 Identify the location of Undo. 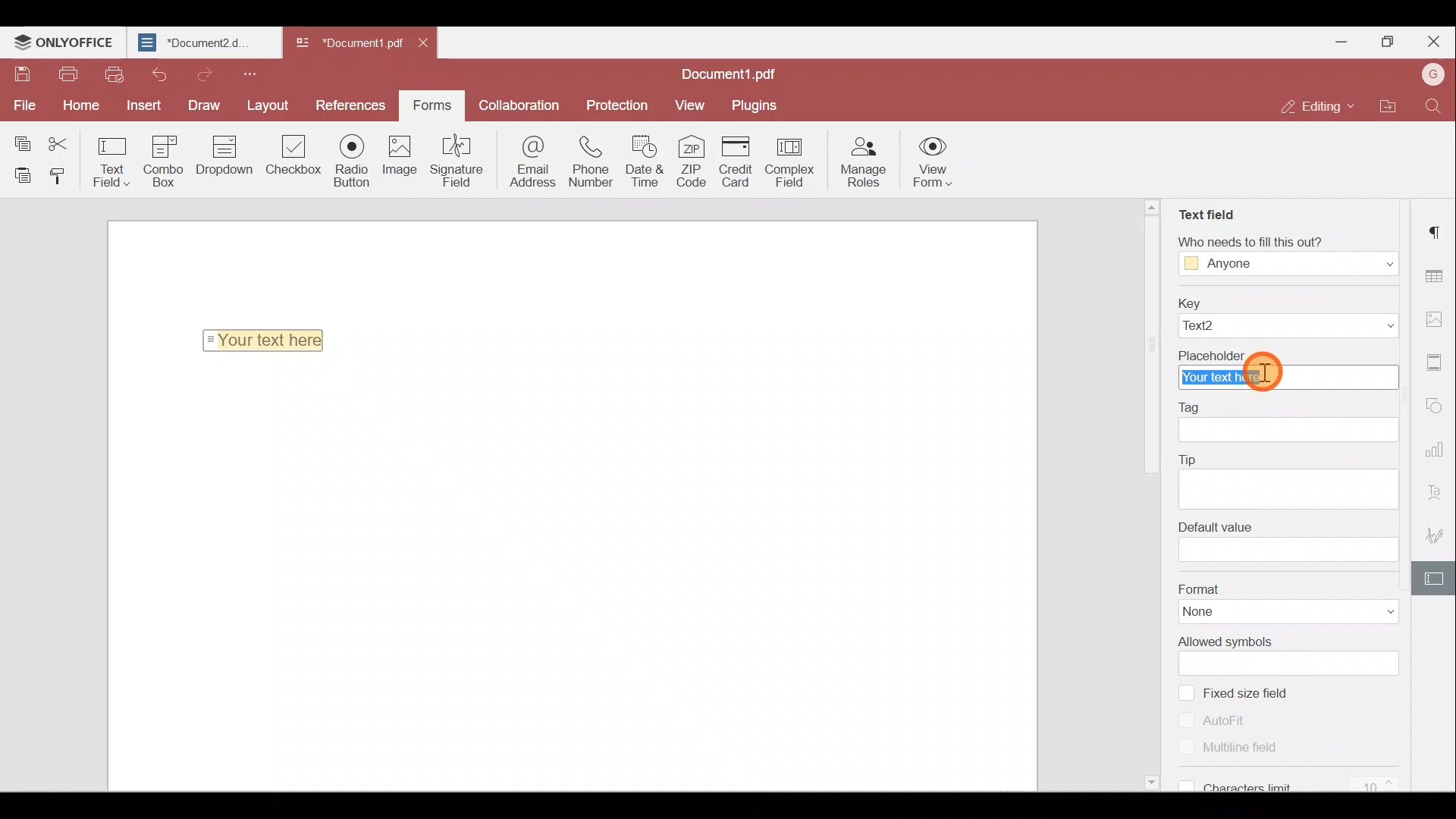
(158, 74).